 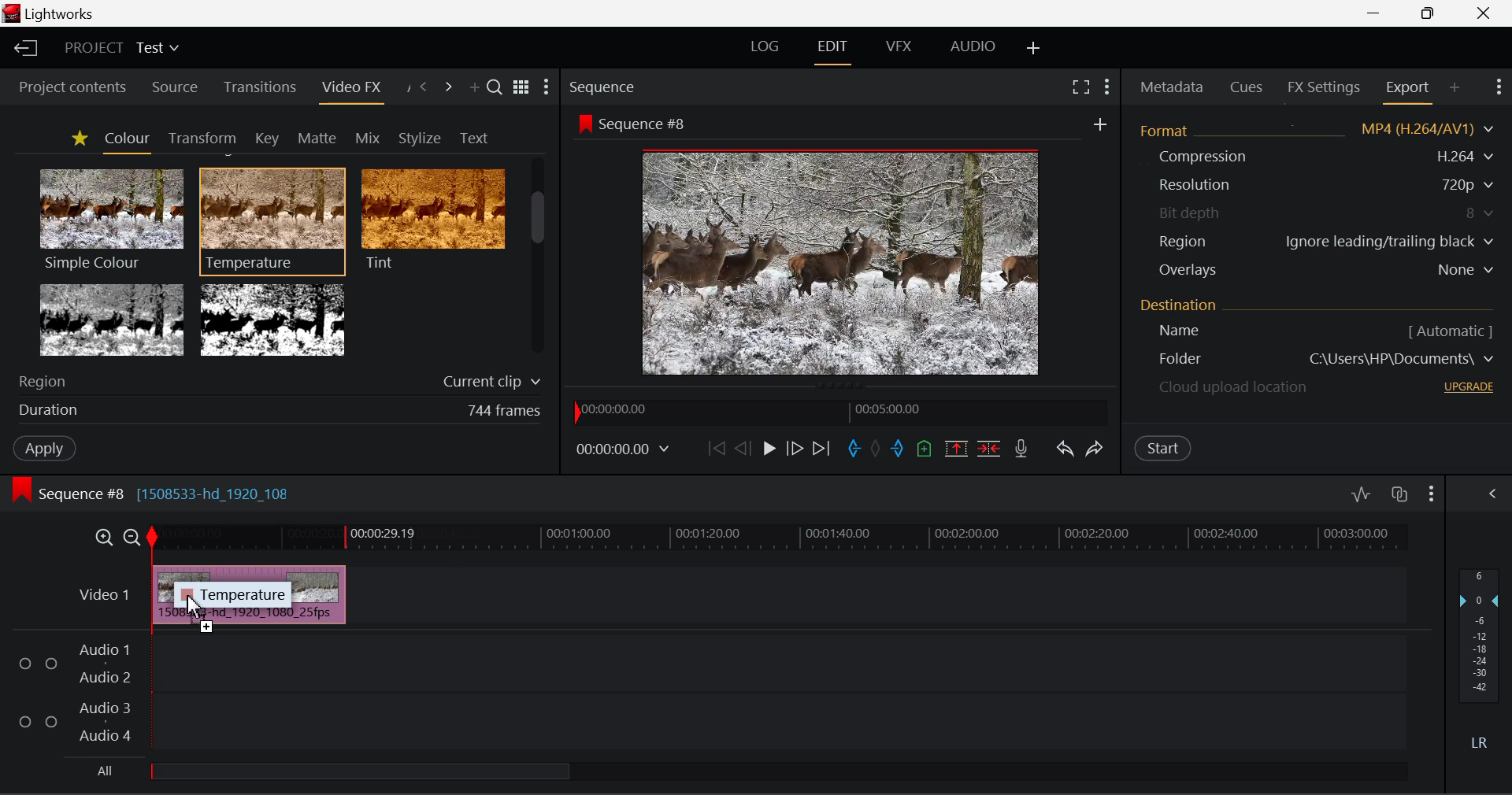 What do you see at coordinates (361, 770) in the screenshot?
I see `all Audio` at bounding box center [361, 770].